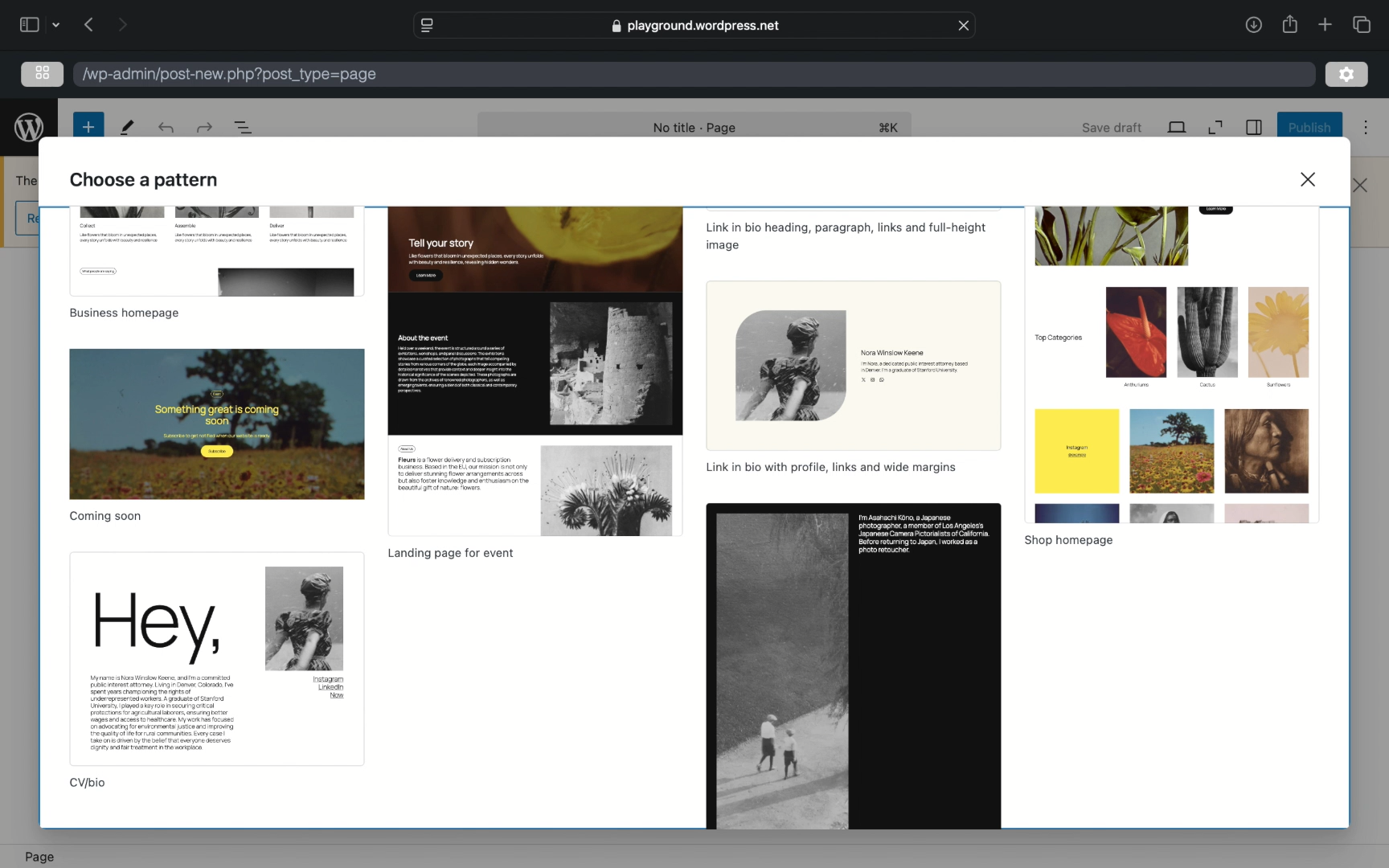 The image size is (1389, 868). I want to click on new, so click(88, 127).